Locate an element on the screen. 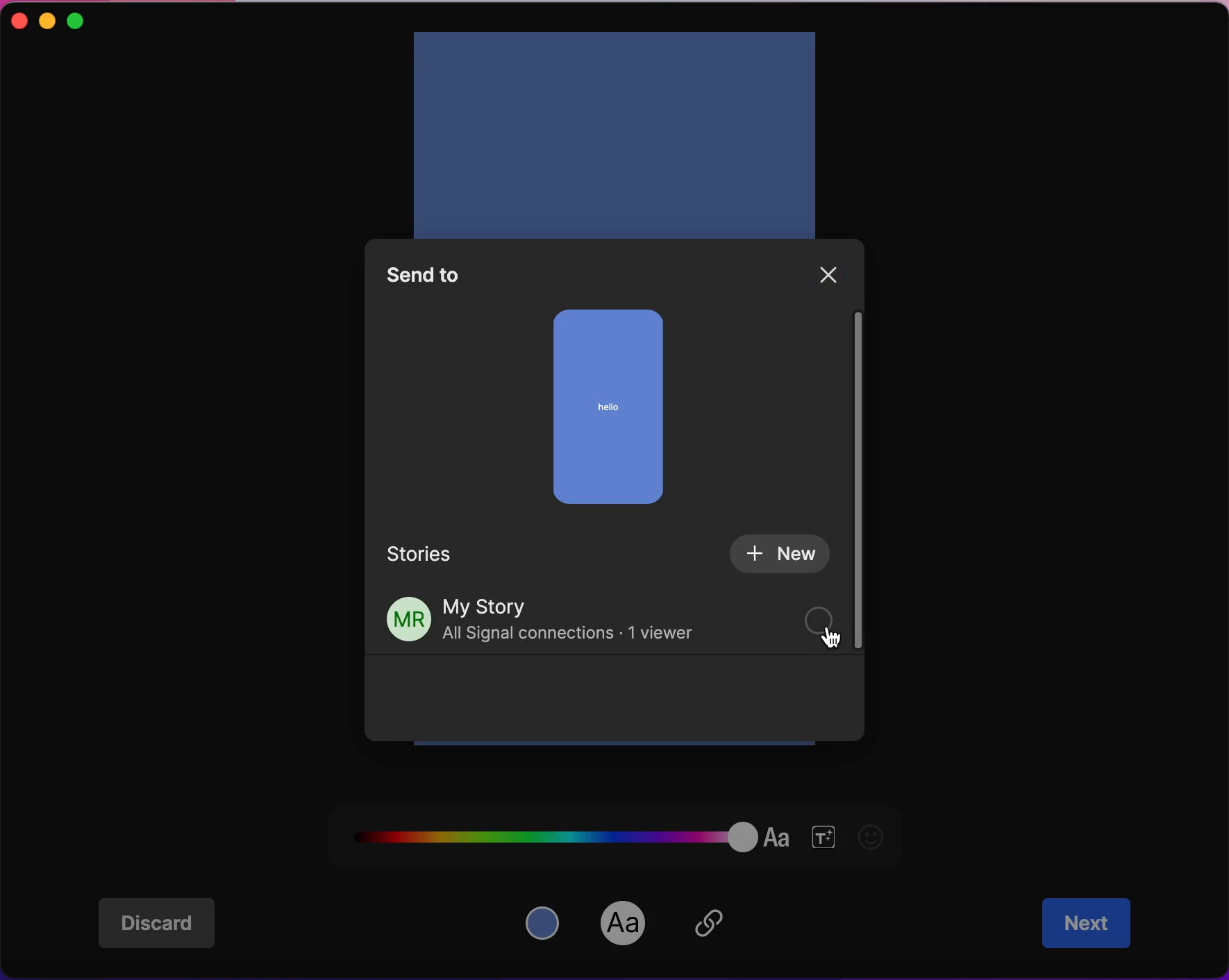 The image size is (1229, 980). send to is located at coordinates (441, 274).